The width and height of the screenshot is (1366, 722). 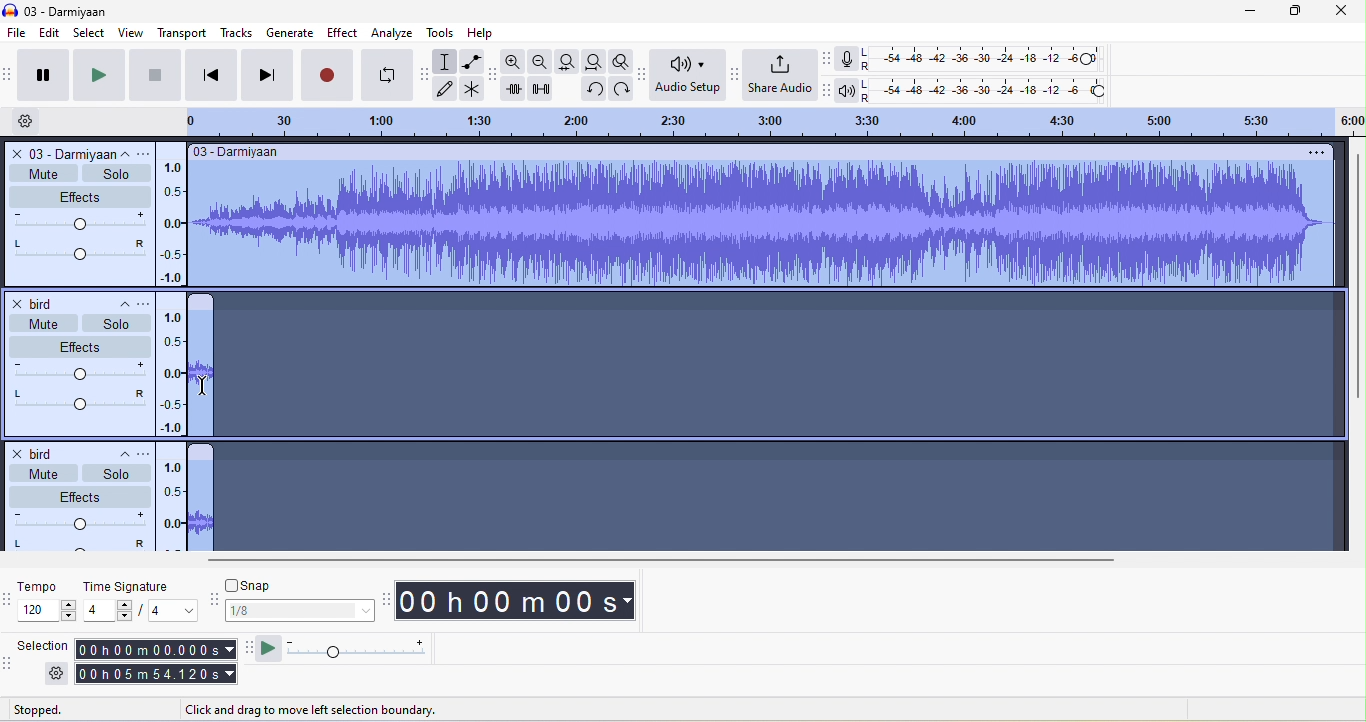 What do you see at coordinates (299, 612) in the screenshot?
I see `1/8` at bounding box center [299, 612].